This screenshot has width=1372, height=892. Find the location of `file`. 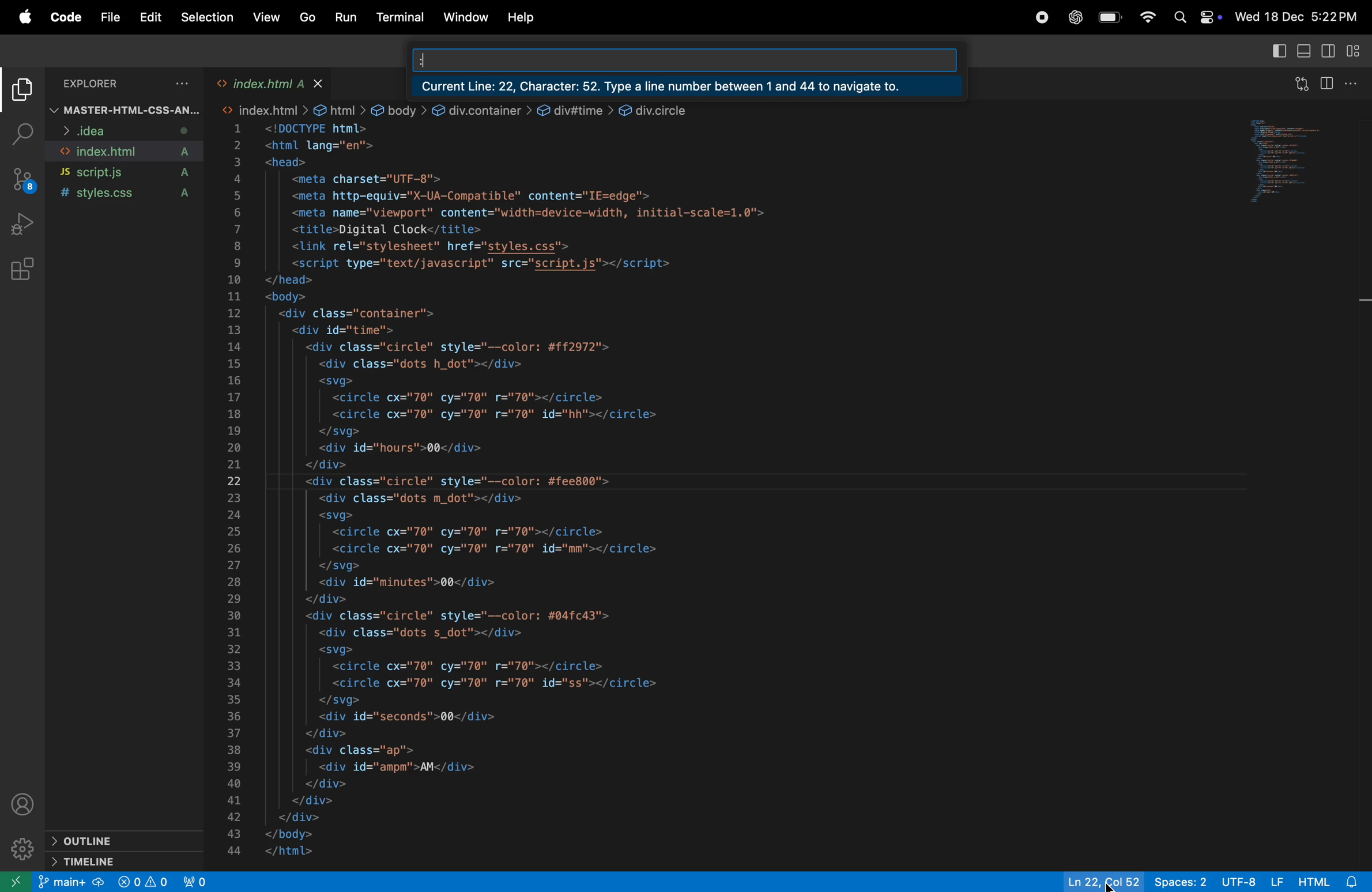

file is located at coordinates (112, 18).